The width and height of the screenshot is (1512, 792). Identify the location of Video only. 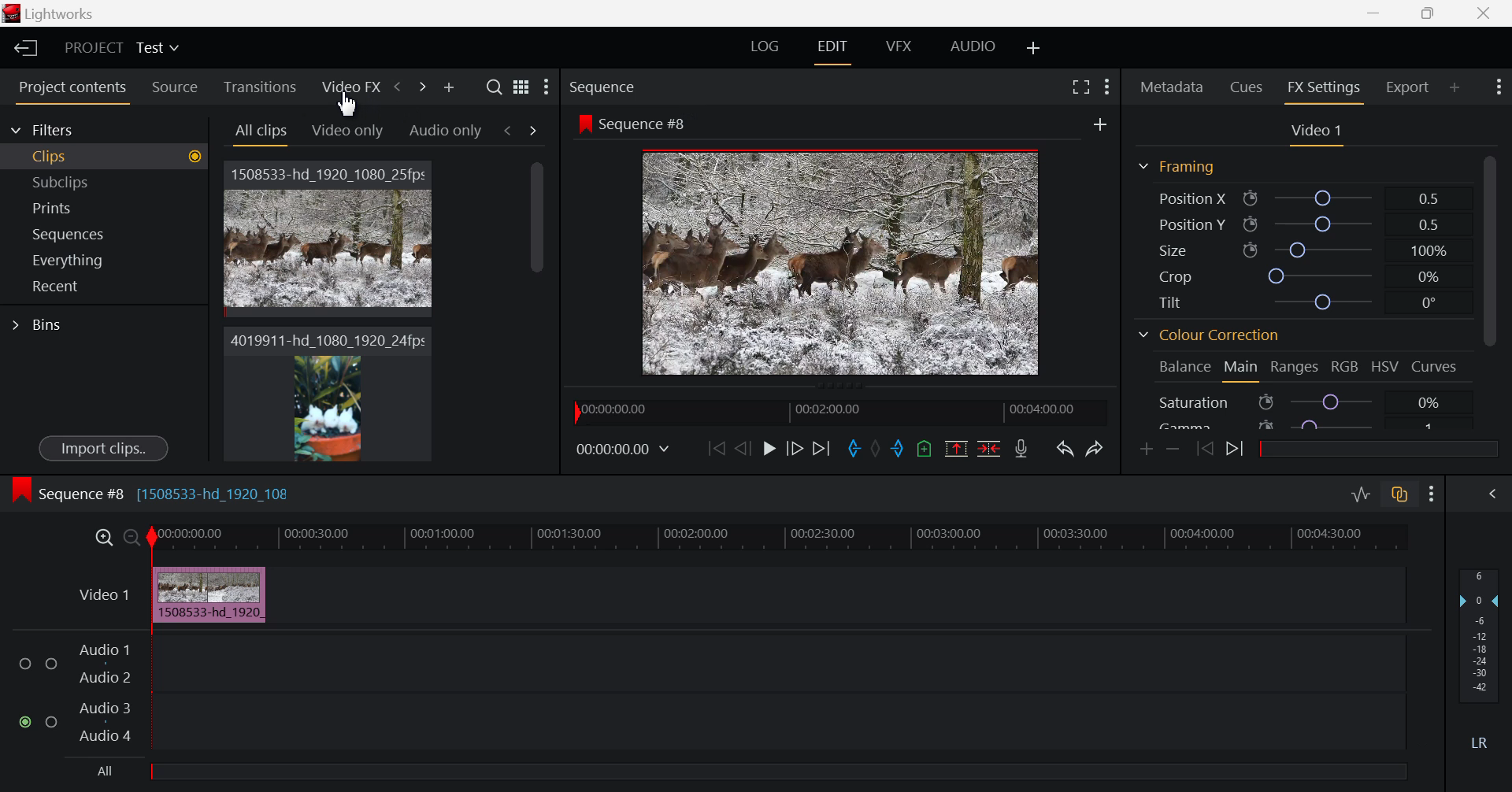
(346, 131).